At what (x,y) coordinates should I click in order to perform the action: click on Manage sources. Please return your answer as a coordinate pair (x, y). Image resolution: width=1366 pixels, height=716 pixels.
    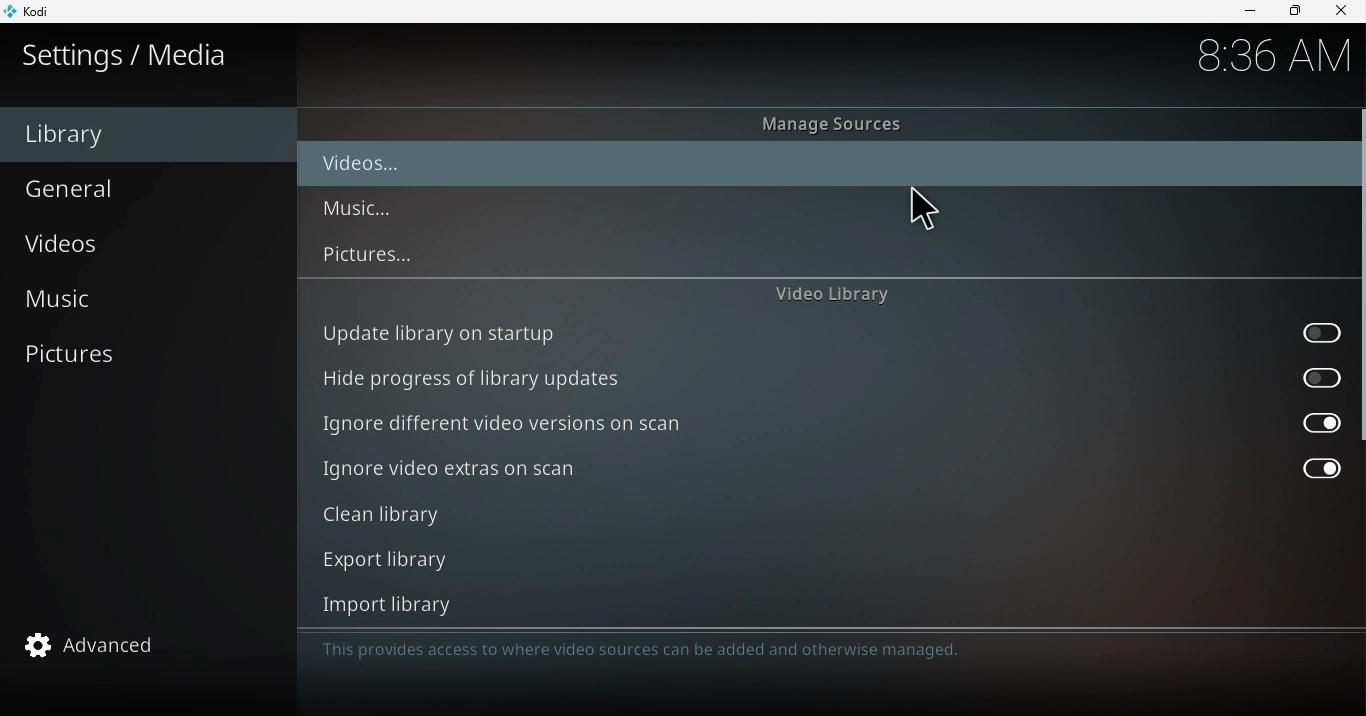
    Looking at the image, I should click on (847, 126).